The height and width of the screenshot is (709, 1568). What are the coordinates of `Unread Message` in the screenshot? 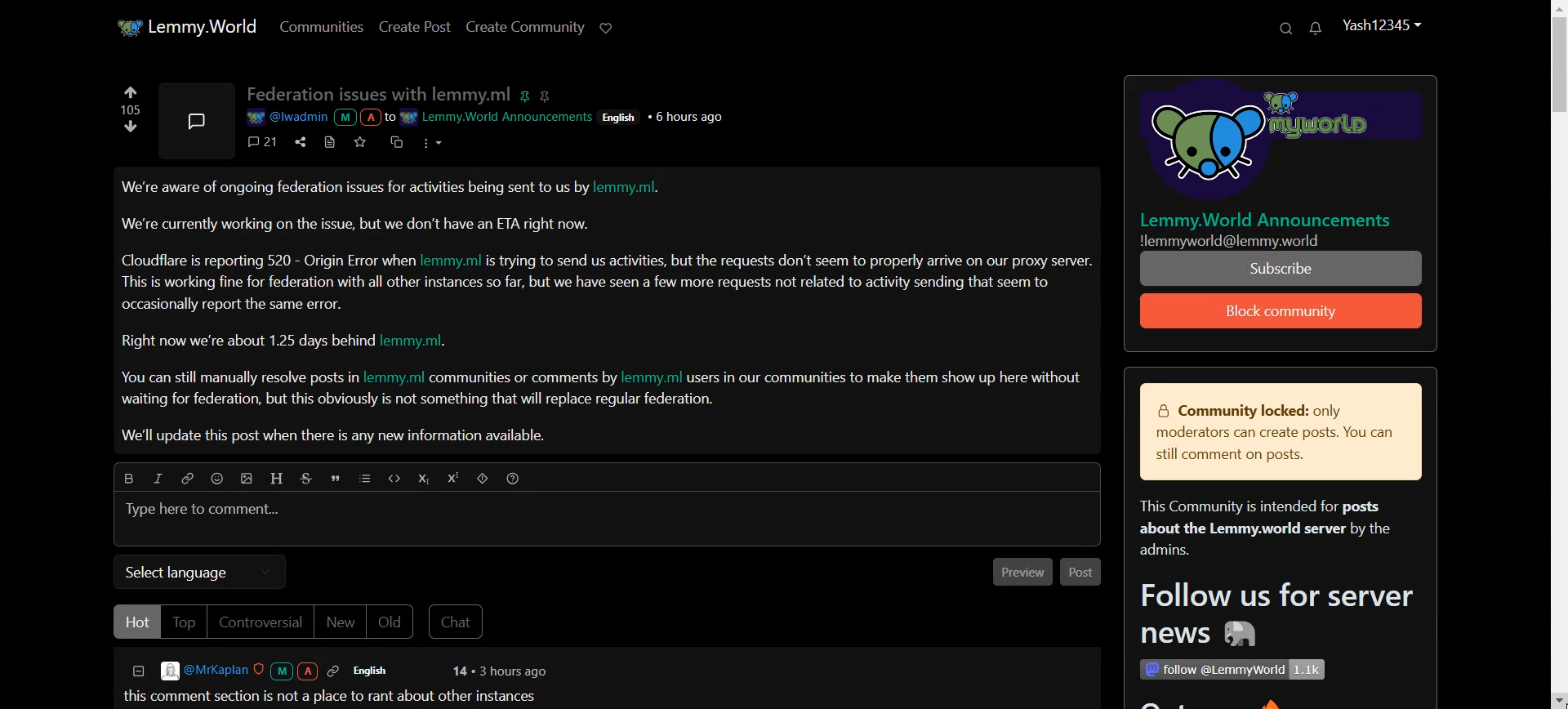 It's located at (1317, 31).